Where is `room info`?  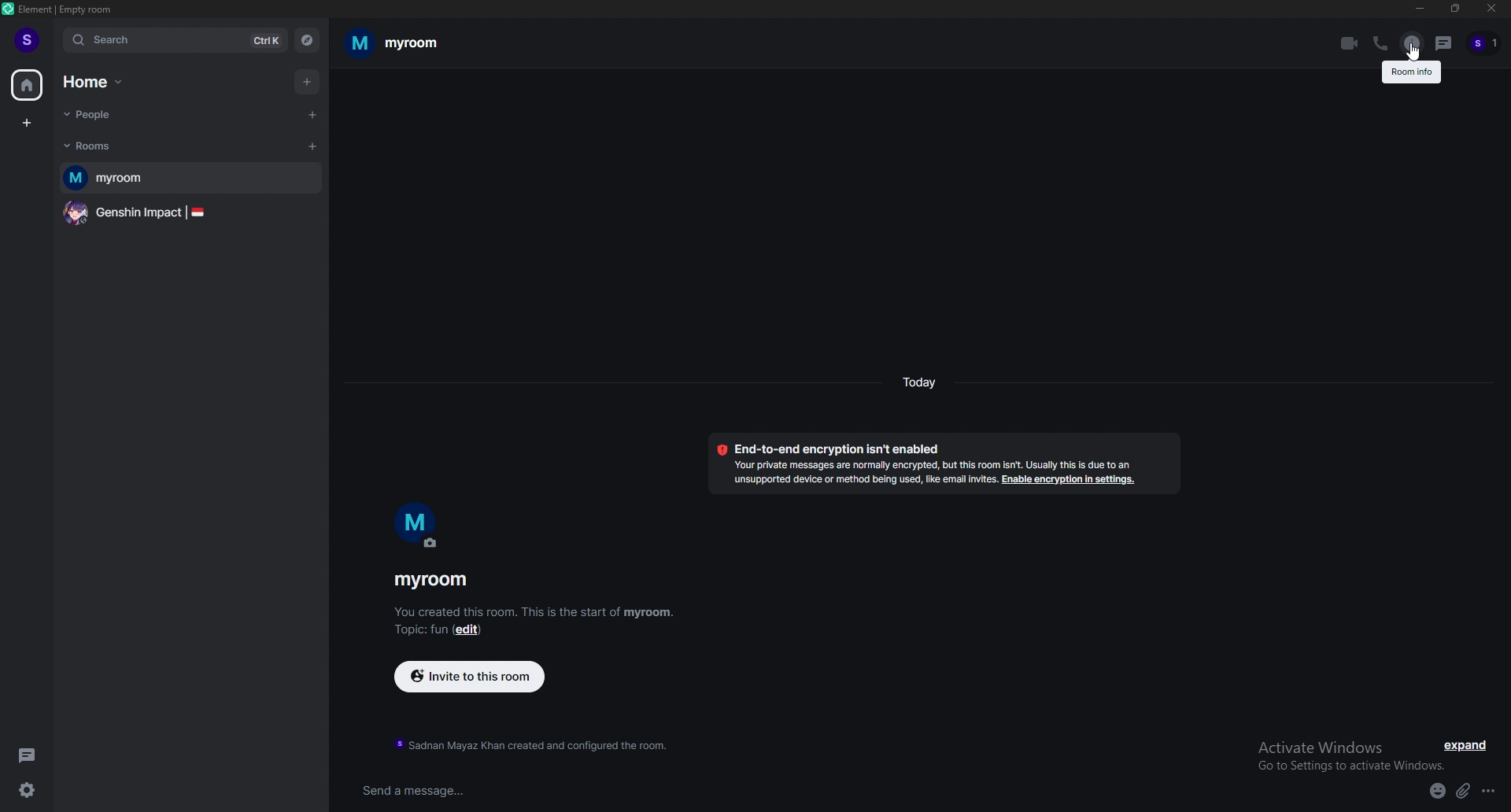
room info is located at coordinates (1411, 74).